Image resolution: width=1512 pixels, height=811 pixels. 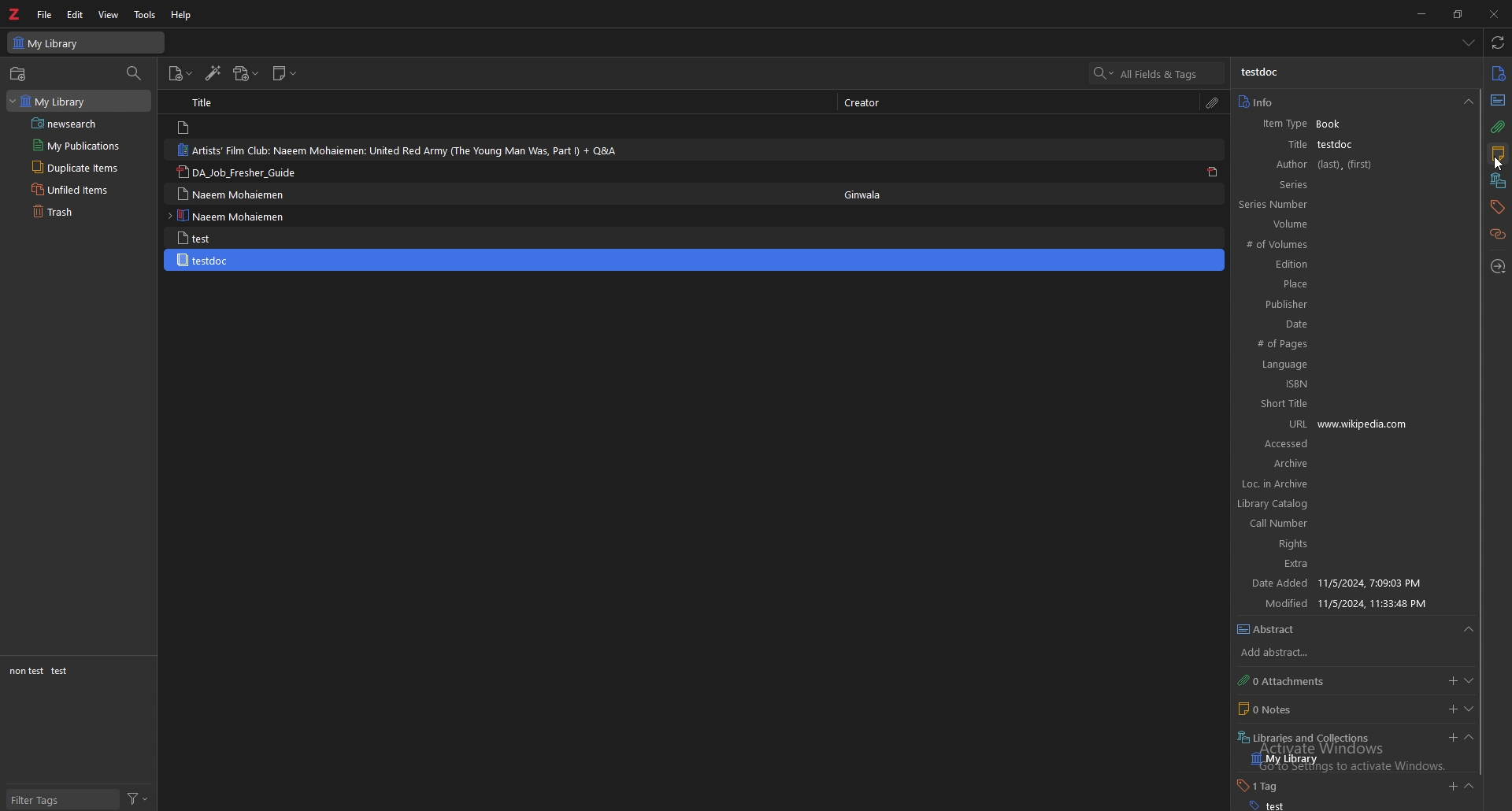 I want to click on collections and libraries, so click(x=1499, y=180).